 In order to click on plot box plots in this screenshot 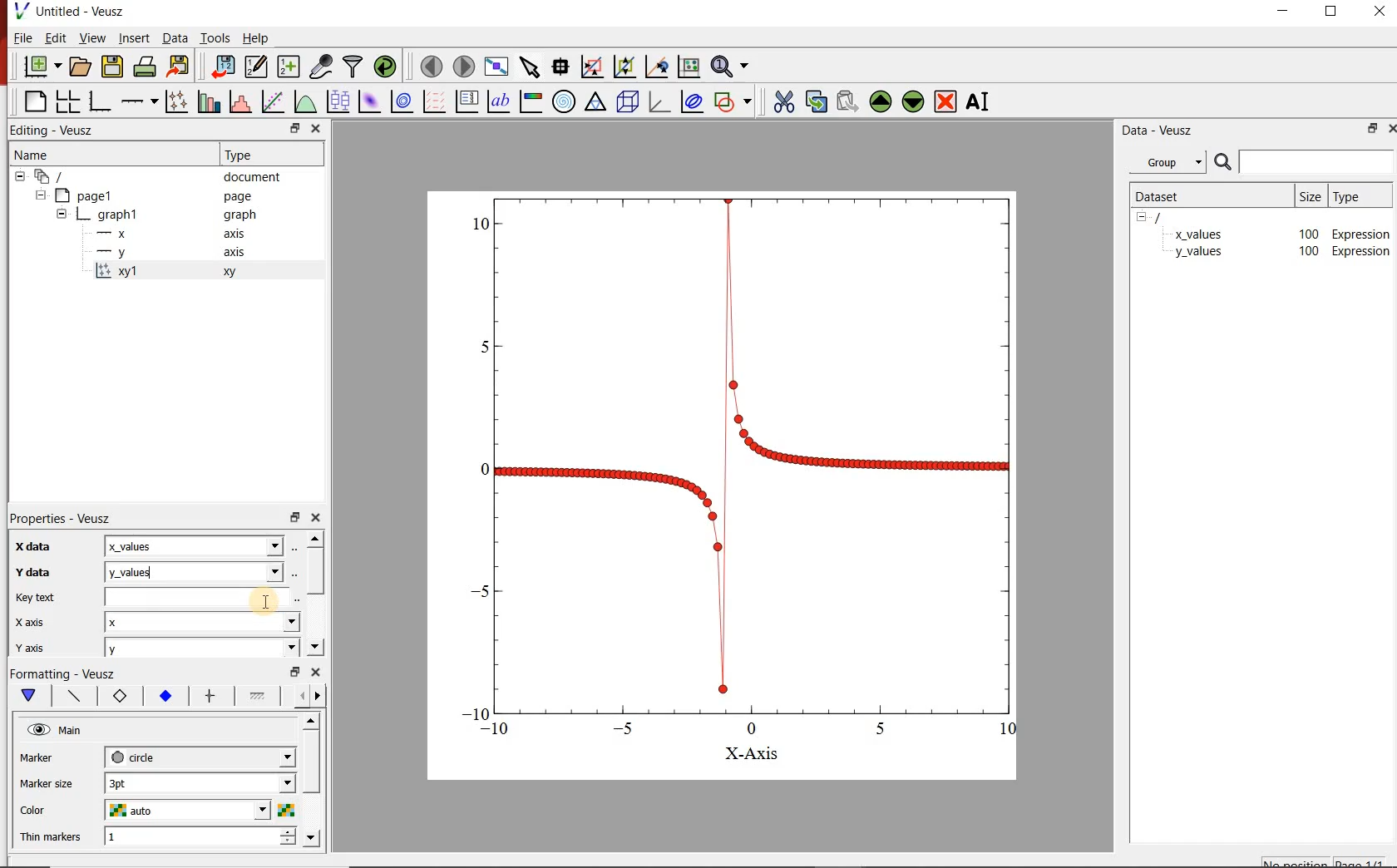, I will do `click(336, 101)`.